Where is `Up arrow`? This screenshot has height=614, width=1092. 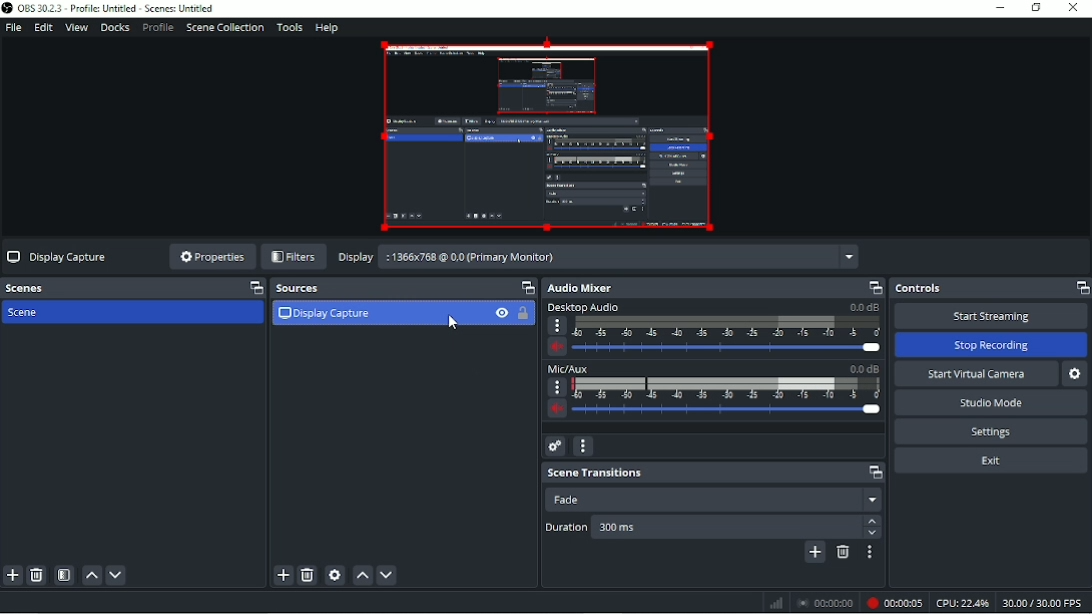 Up arrow is located at coordinates (871, 520).